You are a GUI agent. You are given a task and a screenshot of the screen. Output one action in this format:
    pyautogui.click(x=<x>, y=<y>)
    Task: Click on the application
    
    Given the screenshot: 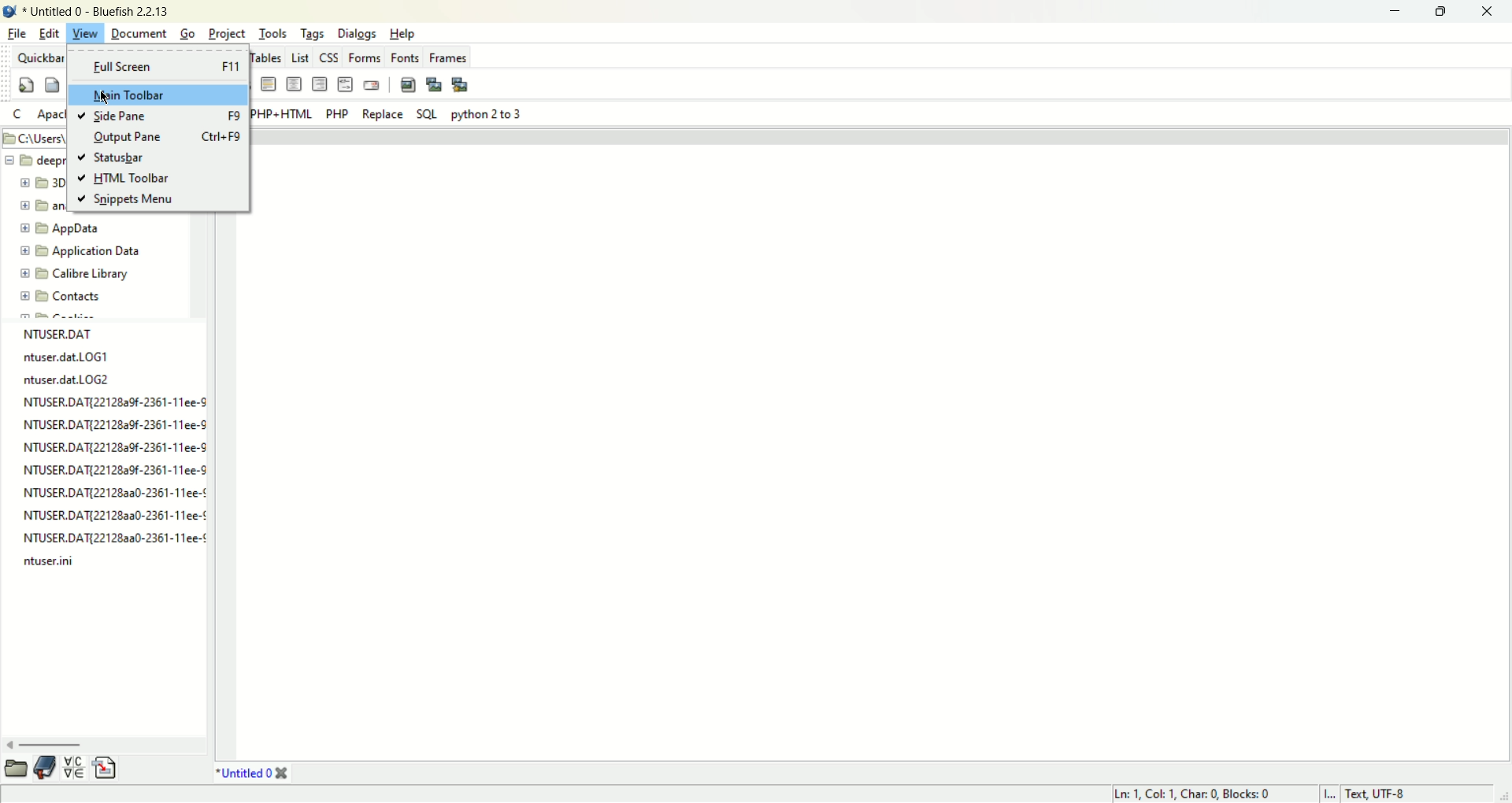 What is the action you would take?
    pyautogui.click(x=84, y=251)
    